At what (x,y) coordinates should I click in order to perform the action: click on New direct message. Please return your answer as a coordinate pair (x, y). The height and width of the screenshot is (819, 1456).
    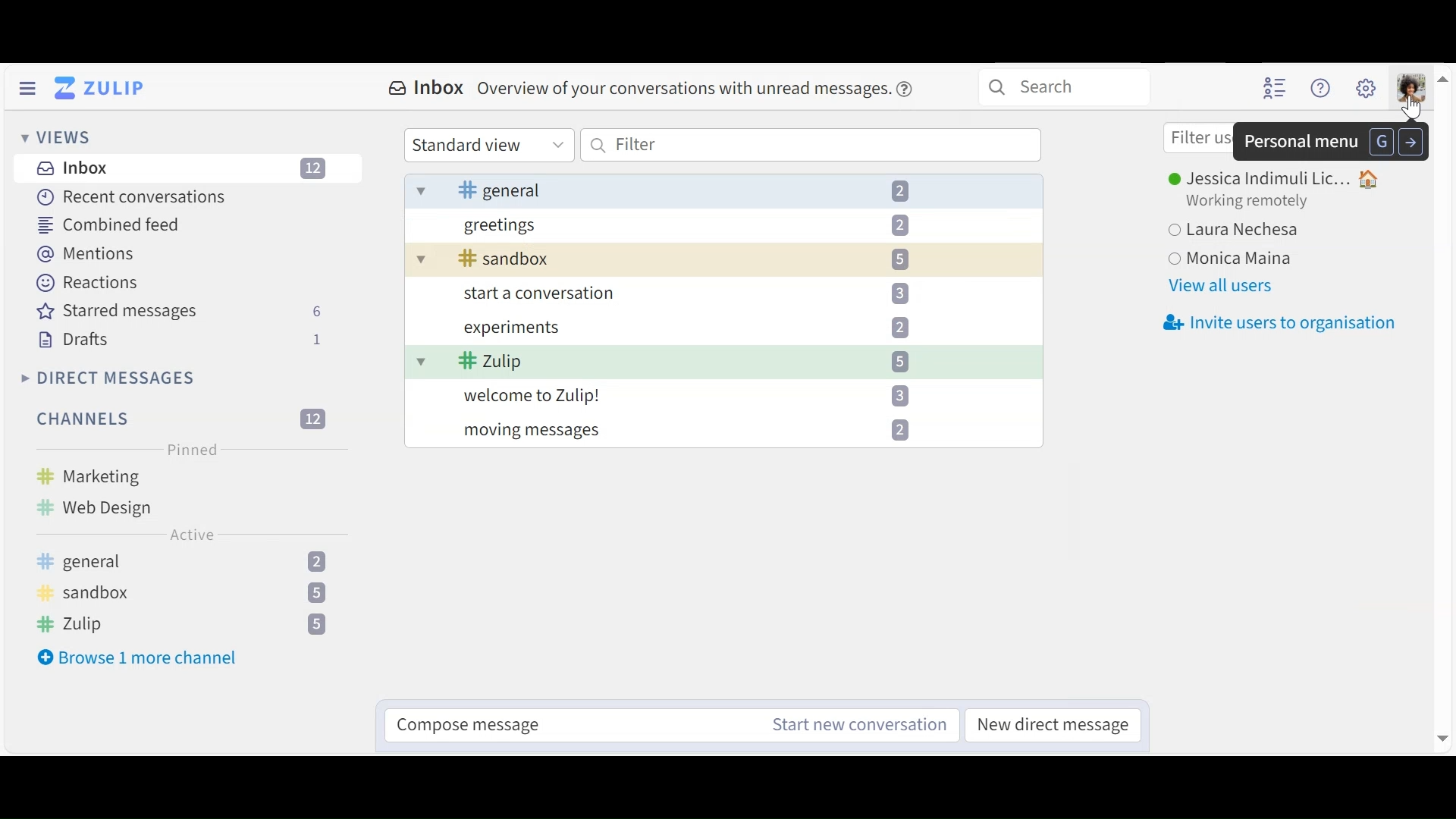
    Looking at the image, I should click on (1053, 724).